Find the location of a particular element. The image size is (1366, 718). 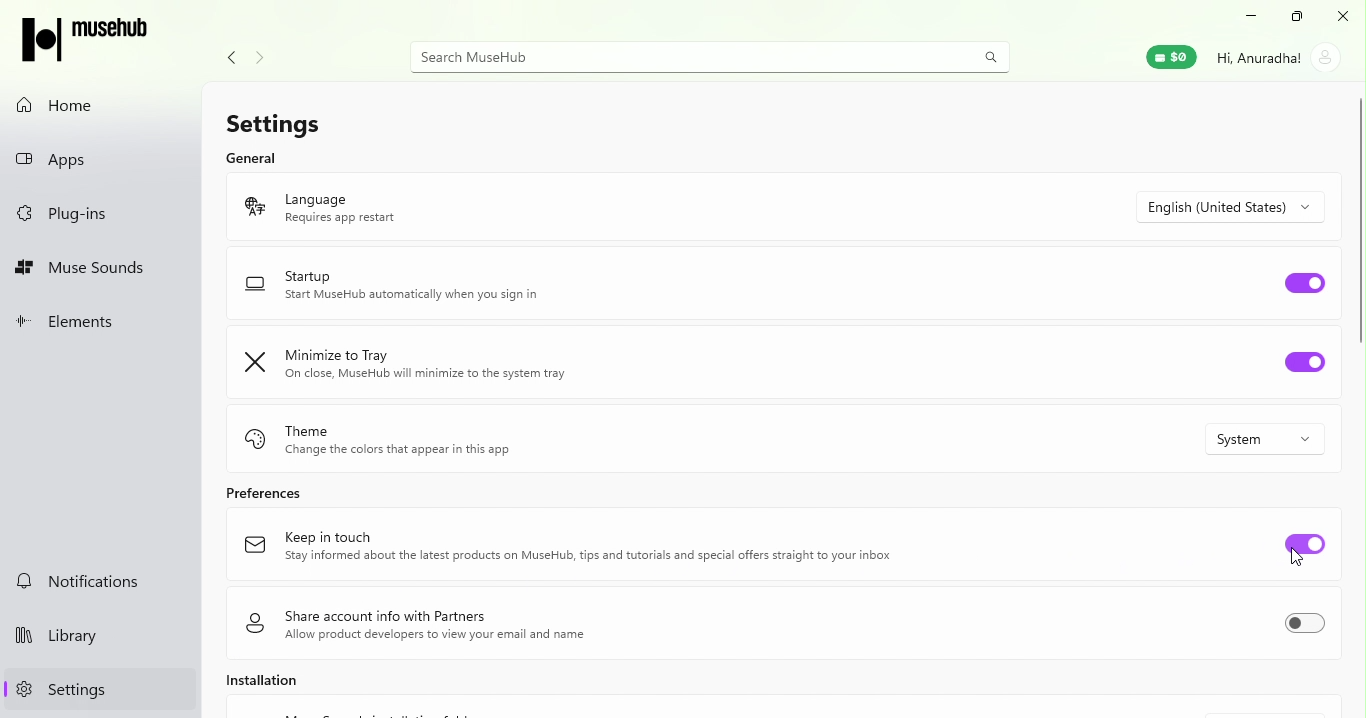

Toggle is located at coordinates (1305, 285).